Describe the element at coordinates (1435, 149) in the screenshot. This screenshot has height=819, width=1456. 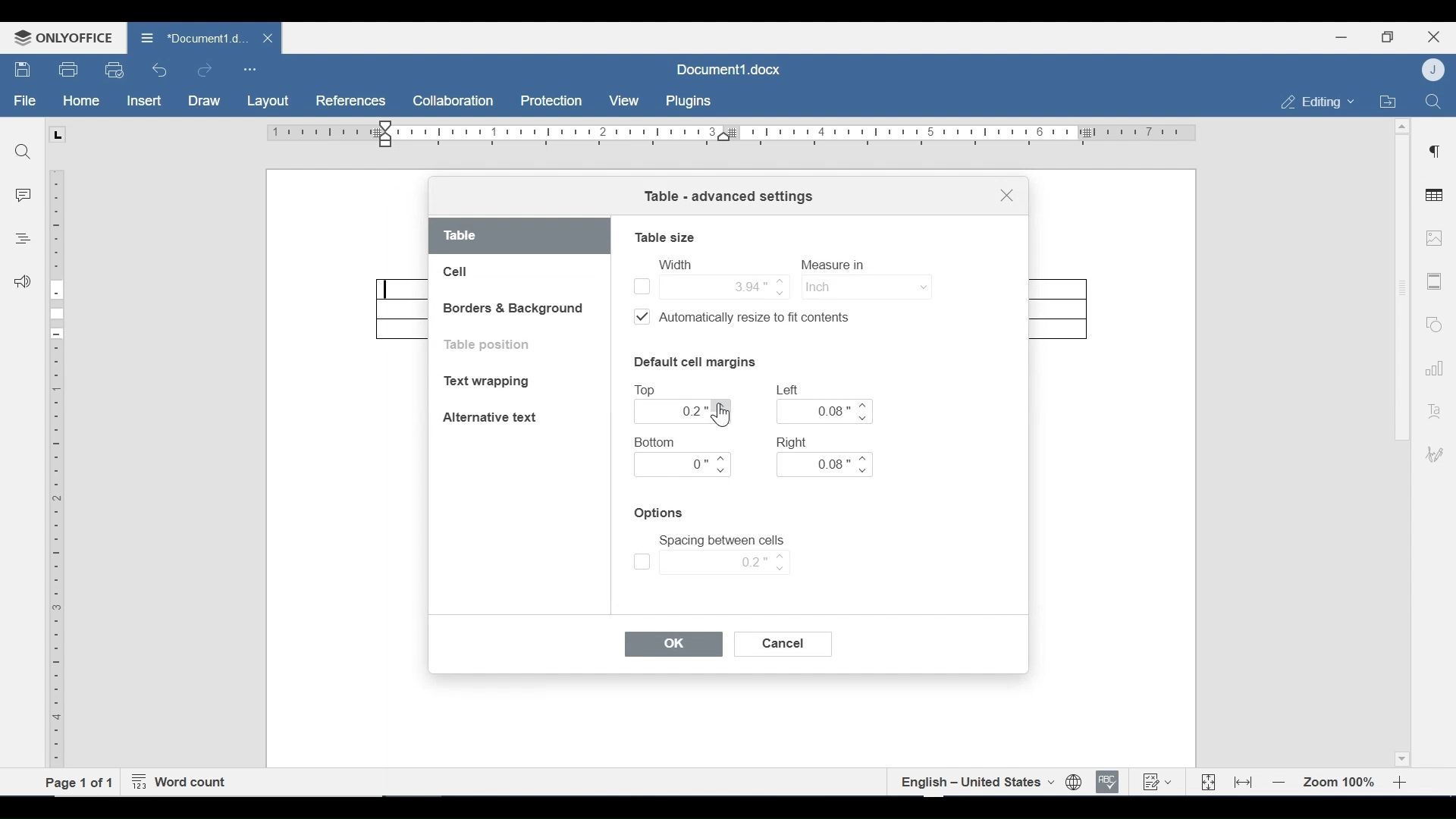
I see `Paragraph Settings` at that location.